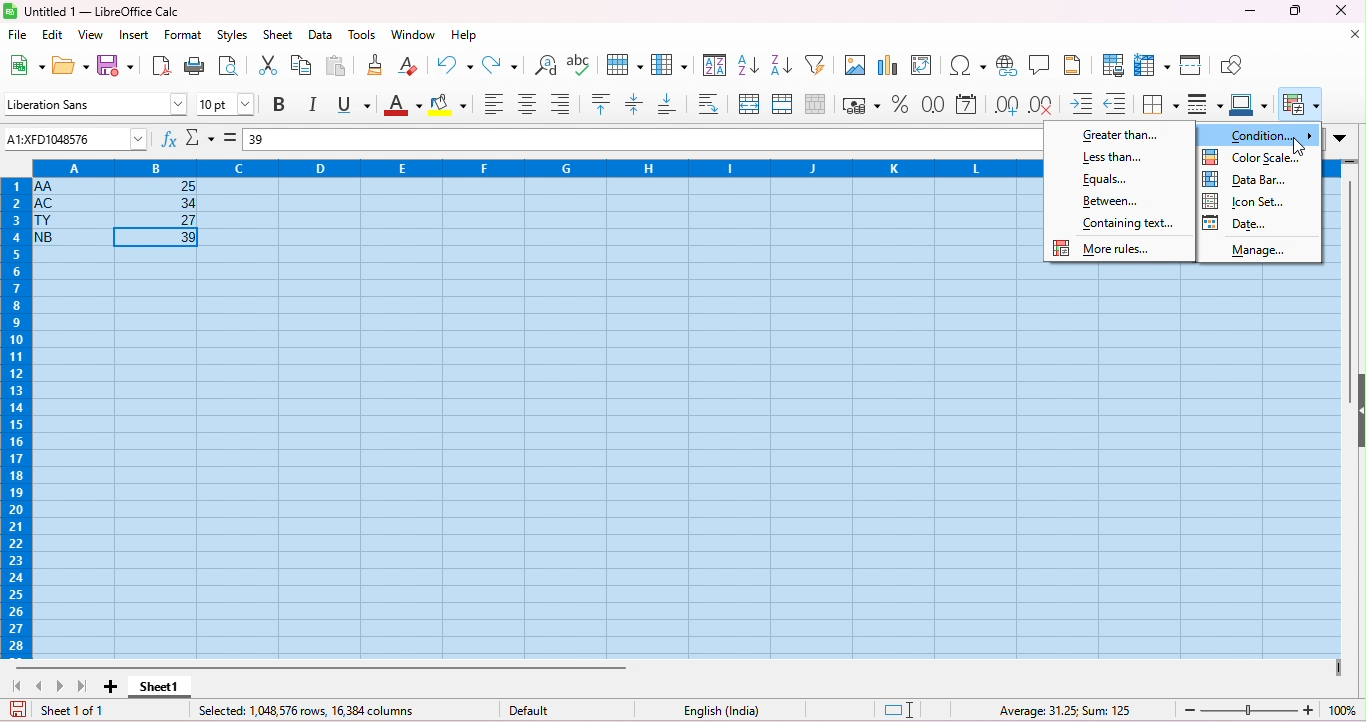 This screenshot has height=722, width=1366. What do you see at coordinates (750, 105) in the screenshot?
I see `merge and center` at bounding box center [750, 105].